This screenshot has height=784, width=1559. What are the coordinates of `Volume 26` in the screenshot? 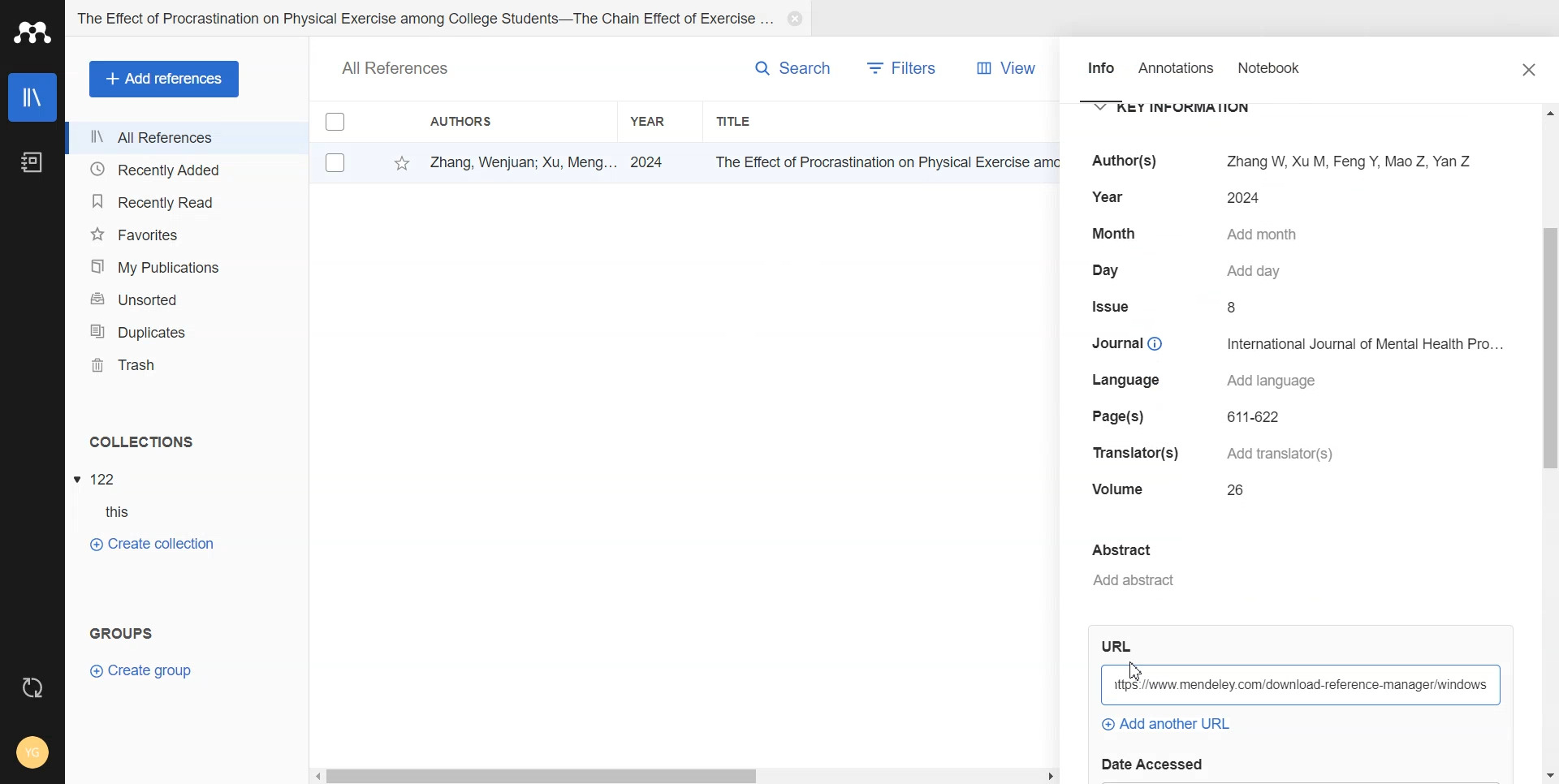 It's located at (1174, 490).